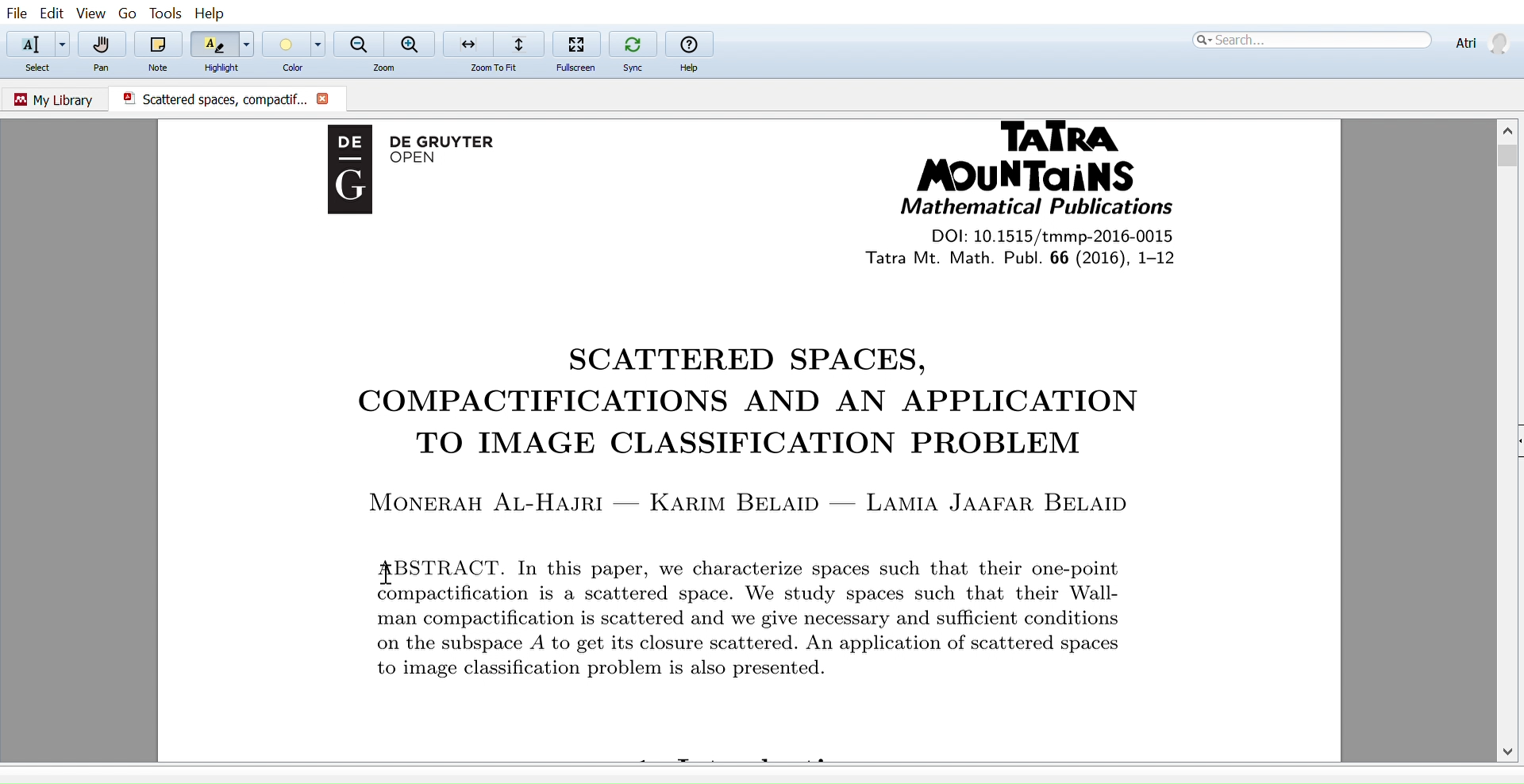  What do you see at coordinates (1480, 41) in the screenshot?
I see `Profile` at bounding box center [1480, 41].